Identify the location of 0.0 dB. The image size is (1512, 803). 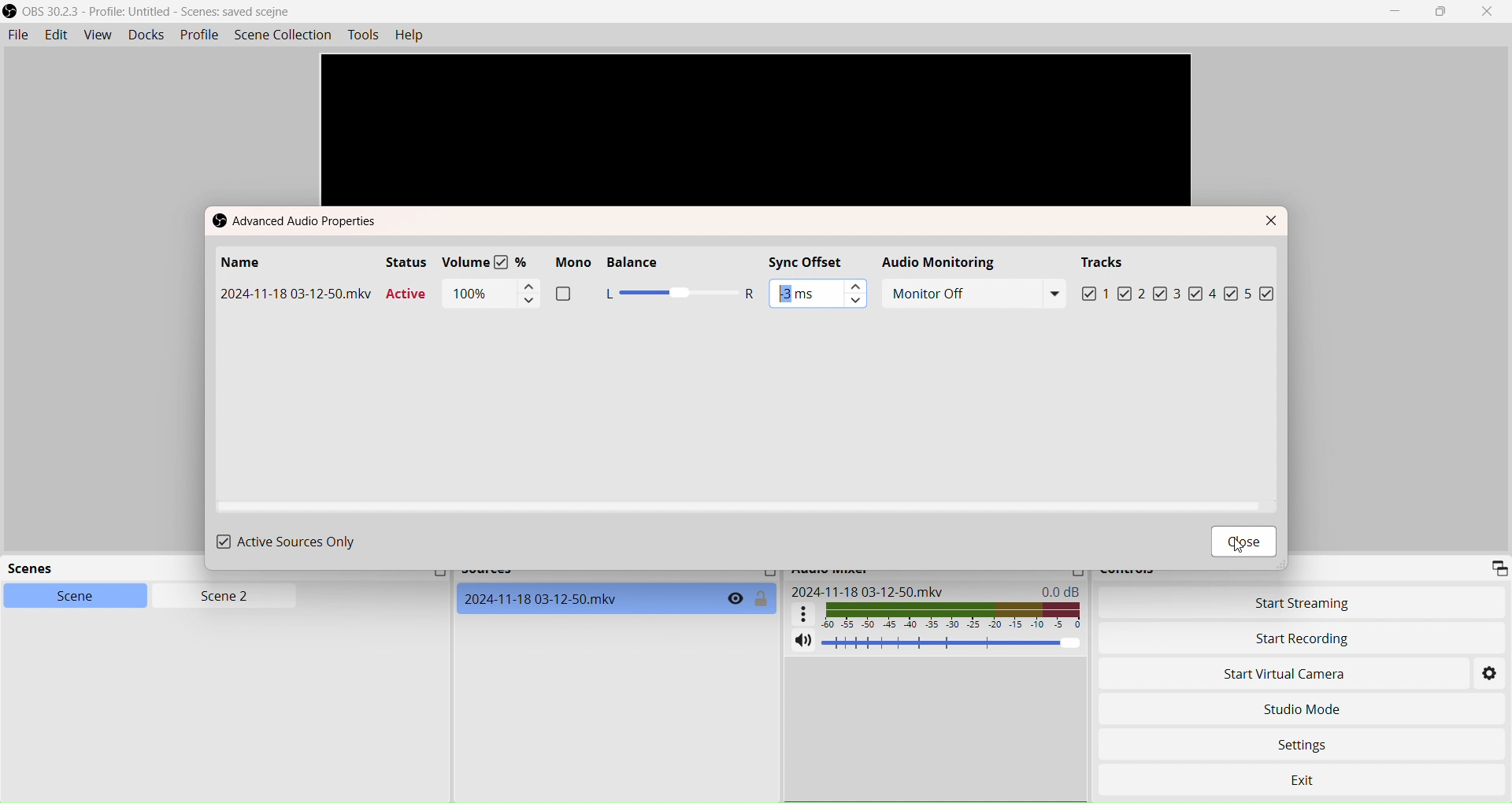
(1064, 590).